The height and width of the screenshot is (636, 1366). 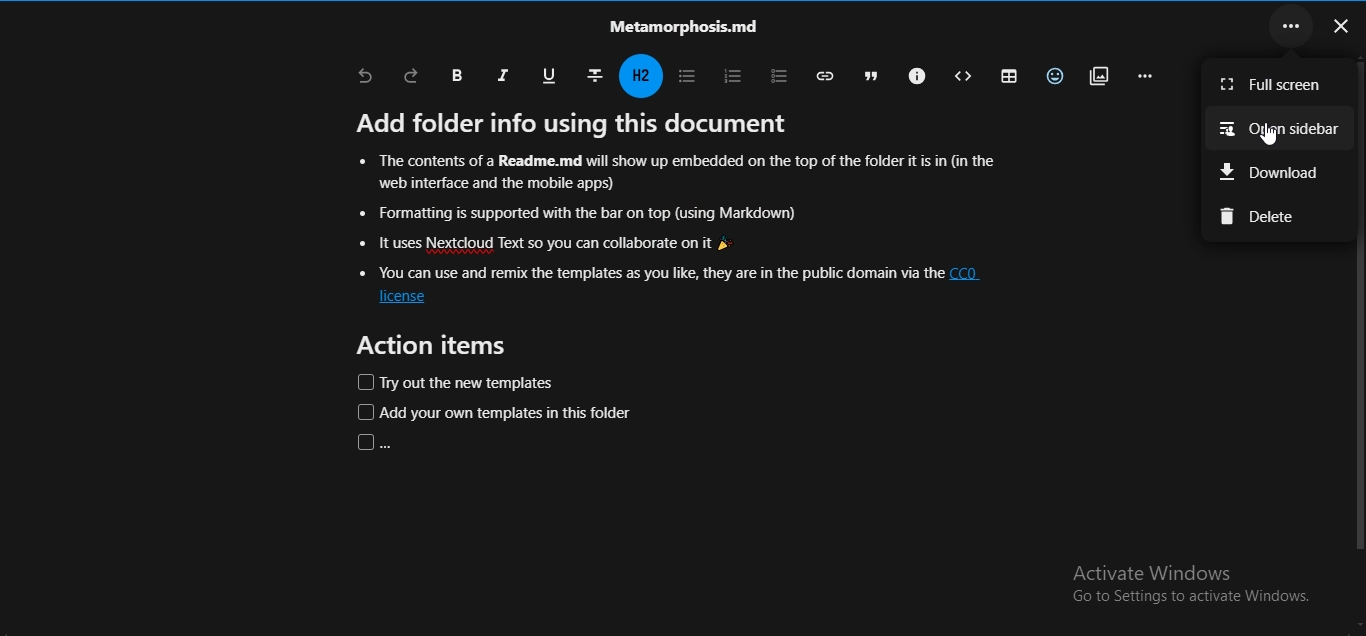 I want to click on block, so click(x=962, y=77).